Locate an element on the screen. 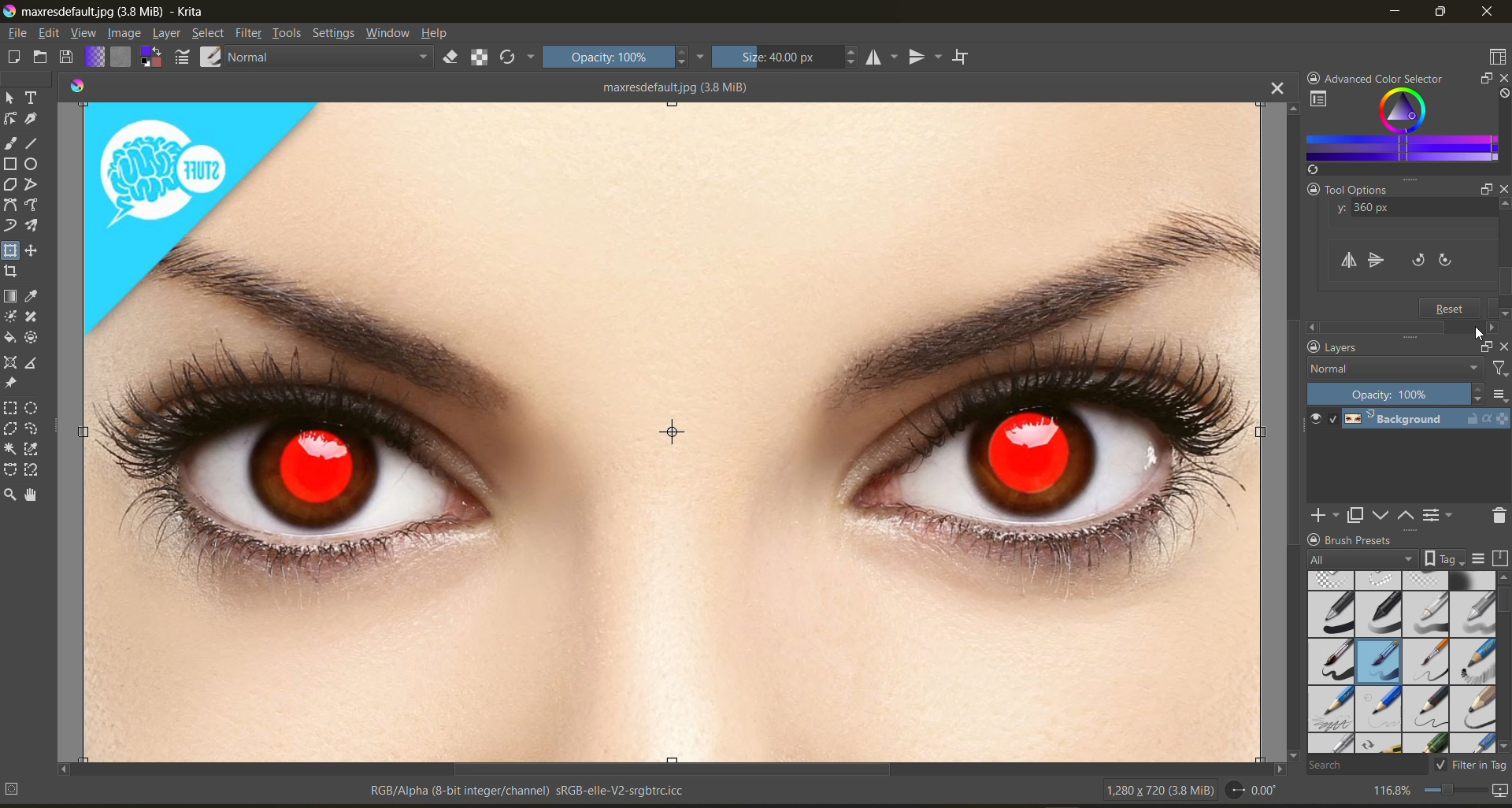 The image size is (1512, 808). layer is located at coordinates (169, 34).